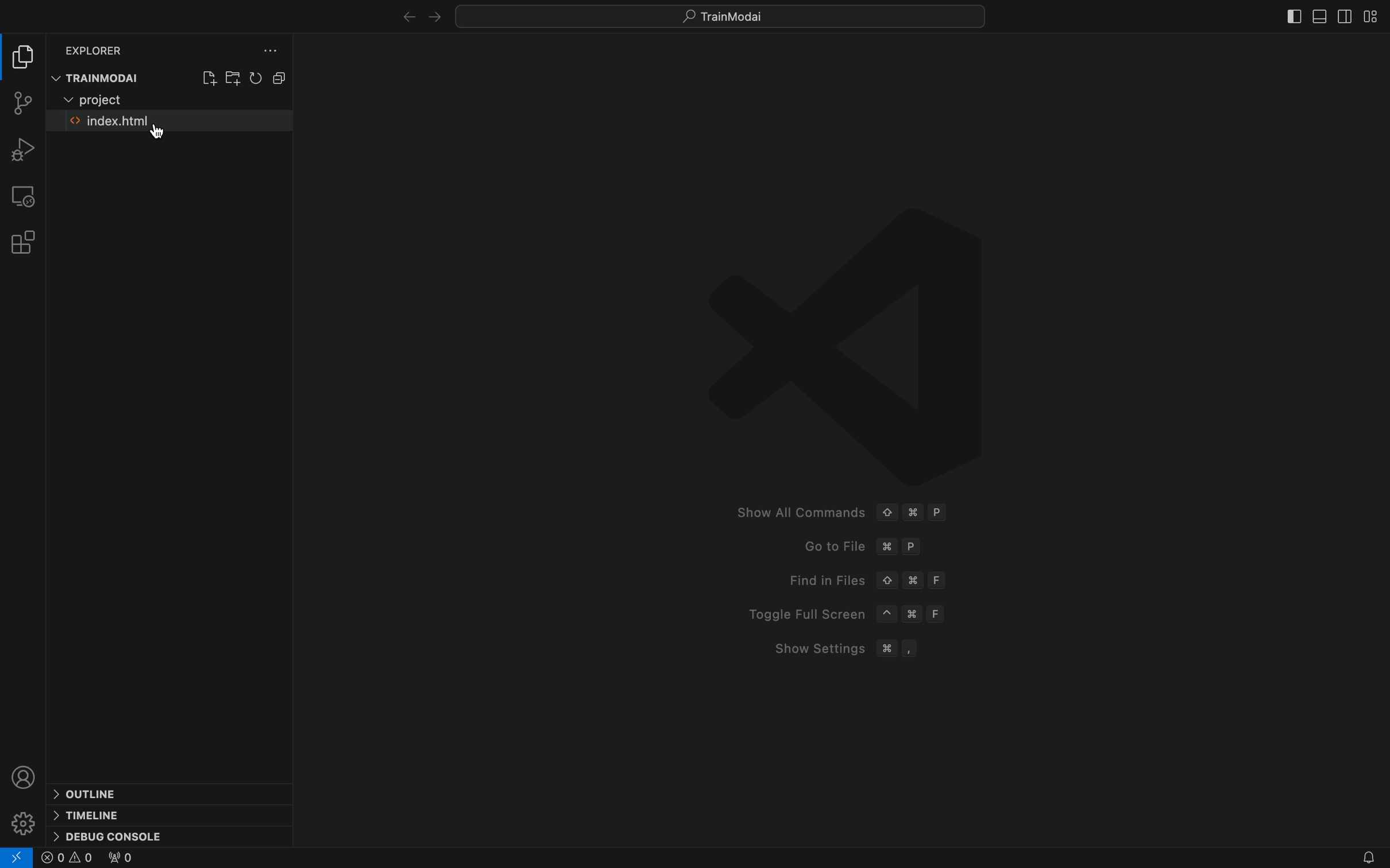 Image resolution: width=1390 pixels, height=868 pixels. I want to click on 0, so click(68, 859).